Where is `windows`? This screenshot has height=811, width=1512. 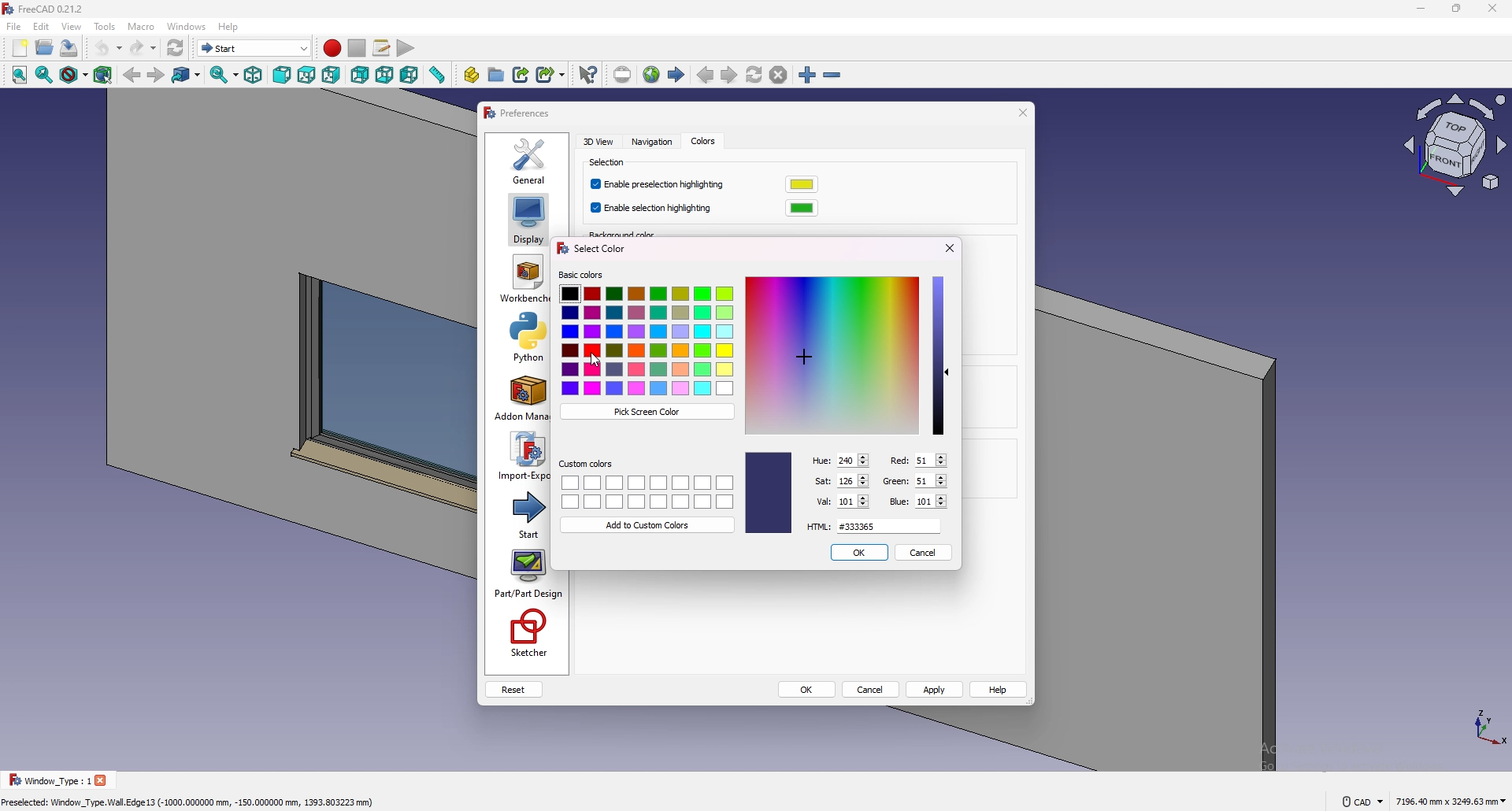
windows is located at coordinates (187, 26).